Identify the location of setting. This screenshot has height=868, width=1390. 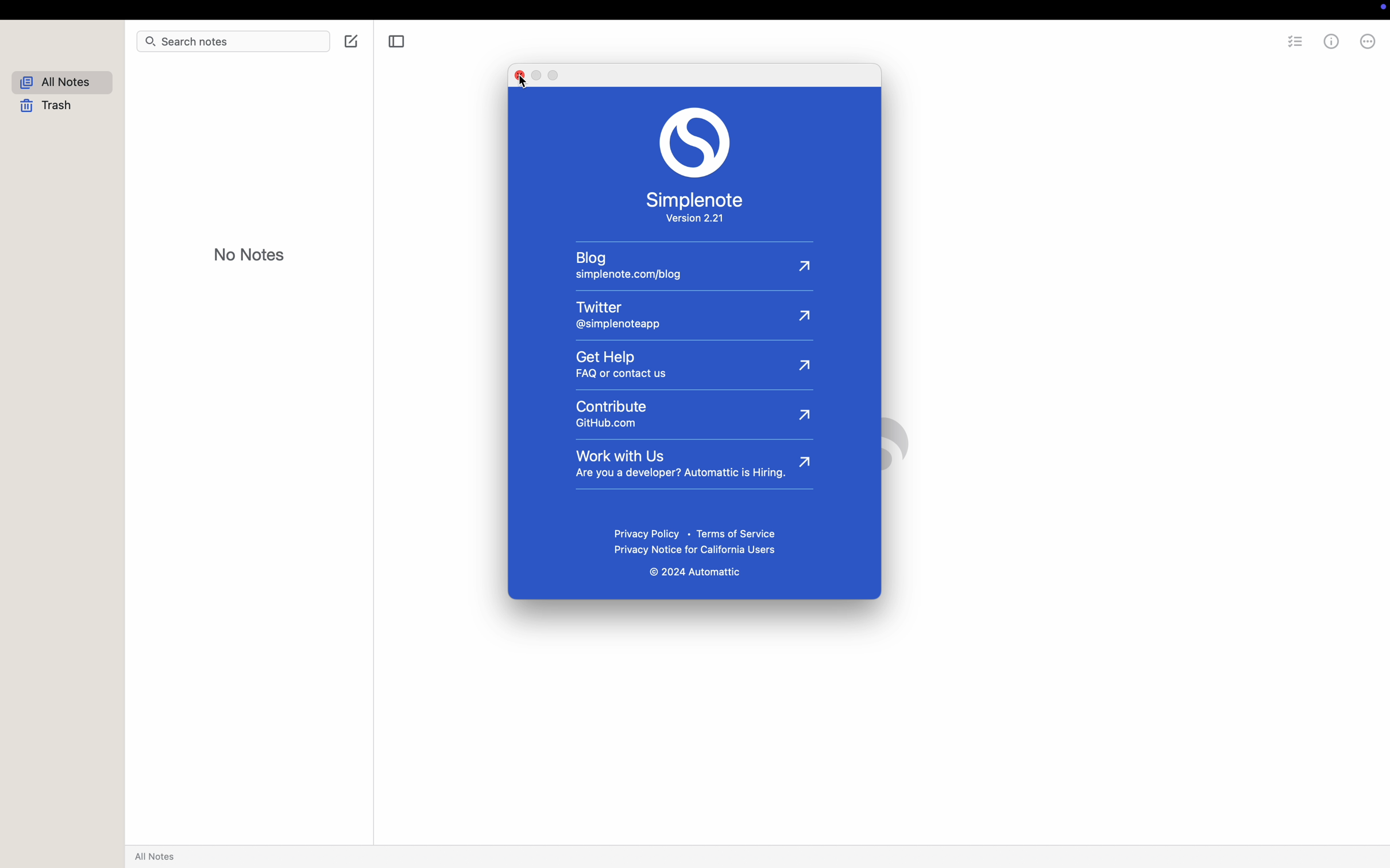
(1294, 43).